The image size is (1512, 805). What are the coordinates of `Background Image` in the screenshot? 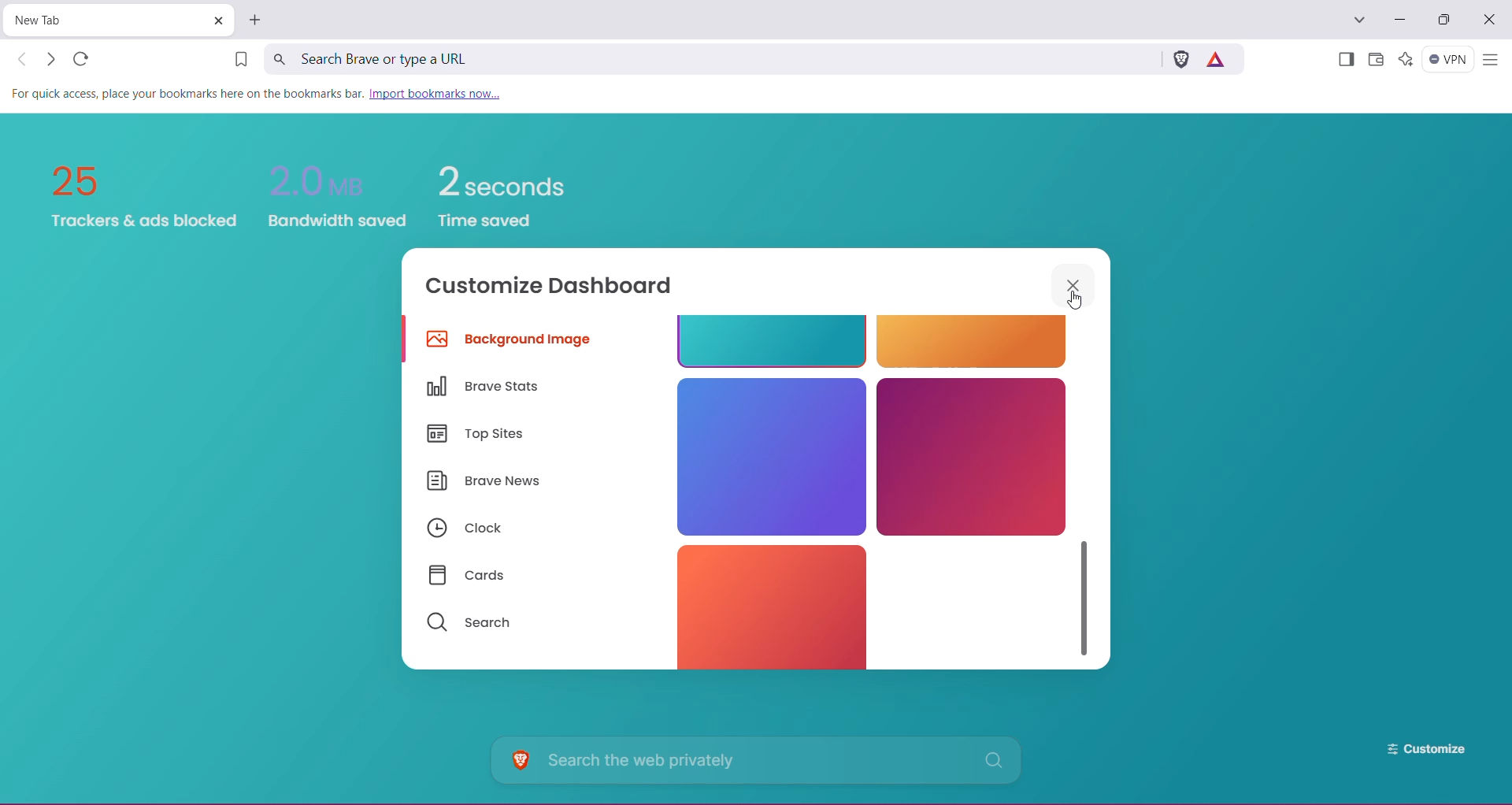 It's located at (513, 342).